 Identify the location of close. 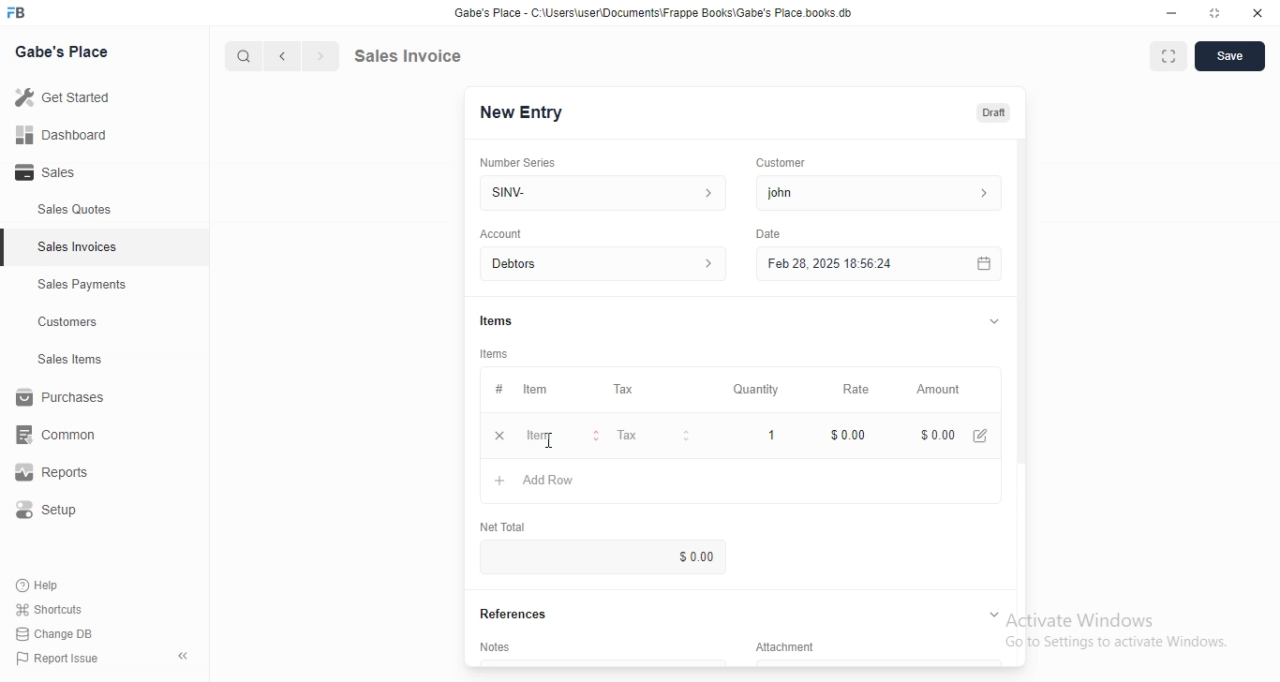
(1257, 14).